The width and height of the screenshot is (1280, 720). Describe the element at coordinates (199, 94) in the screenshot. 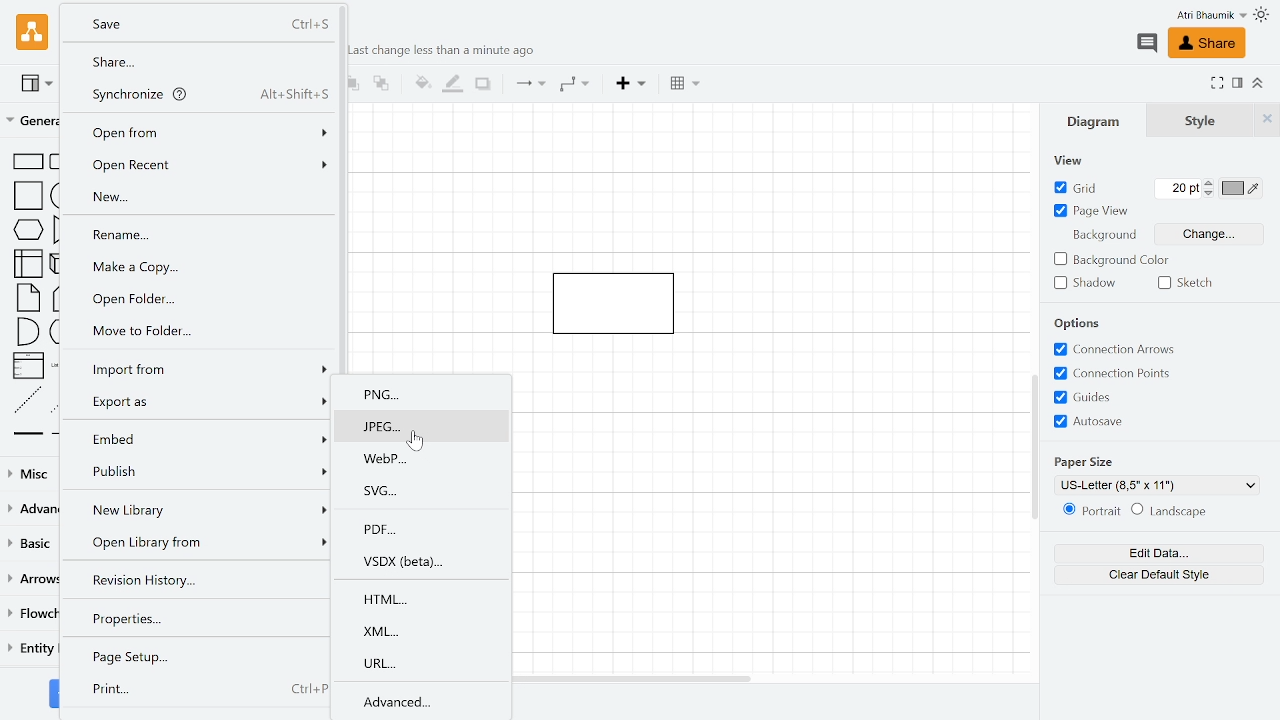

I see `Synchronize` at that location.